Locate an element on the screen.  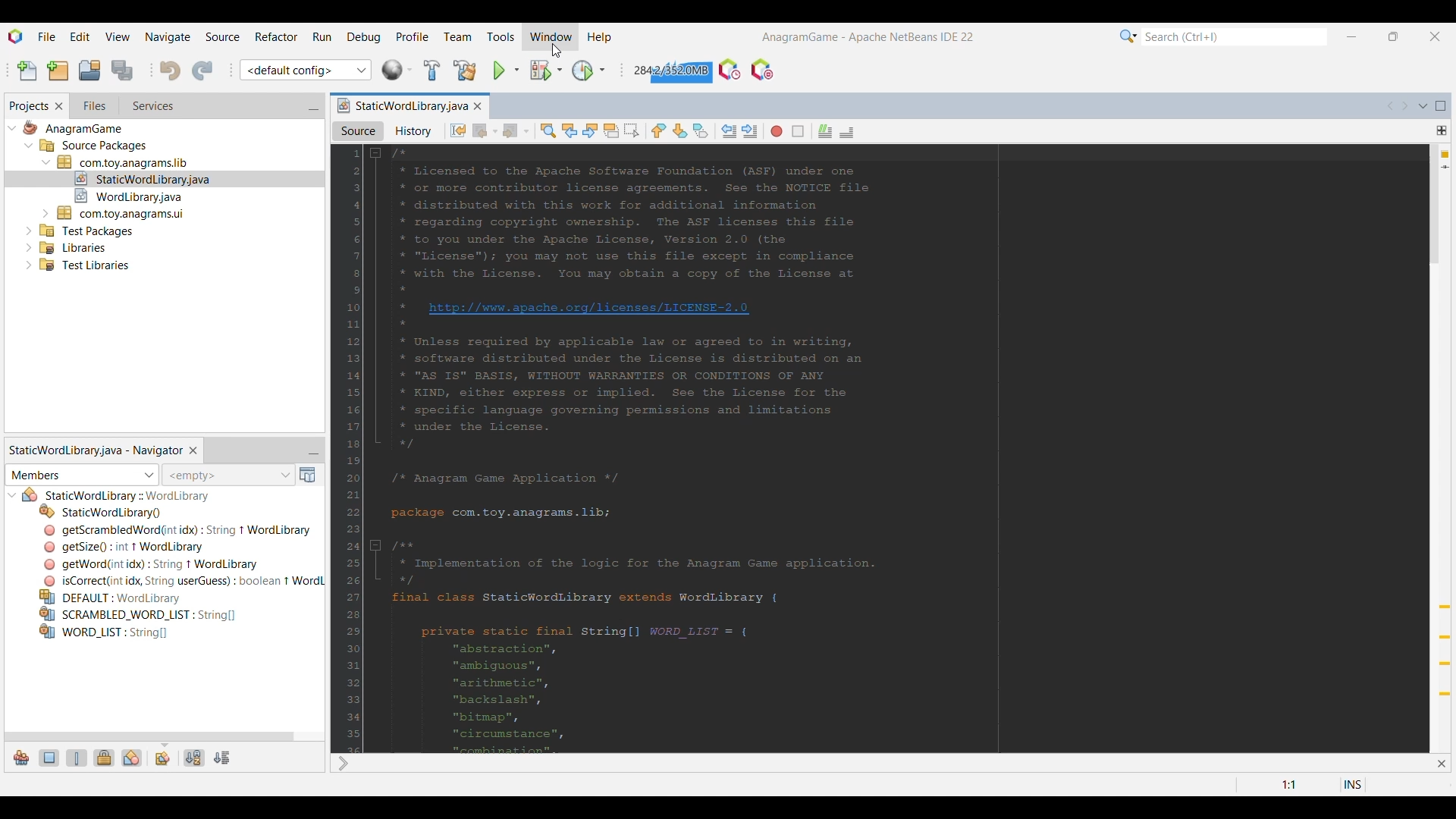
Horizontal slide bar is located at coordinates (149, 737).